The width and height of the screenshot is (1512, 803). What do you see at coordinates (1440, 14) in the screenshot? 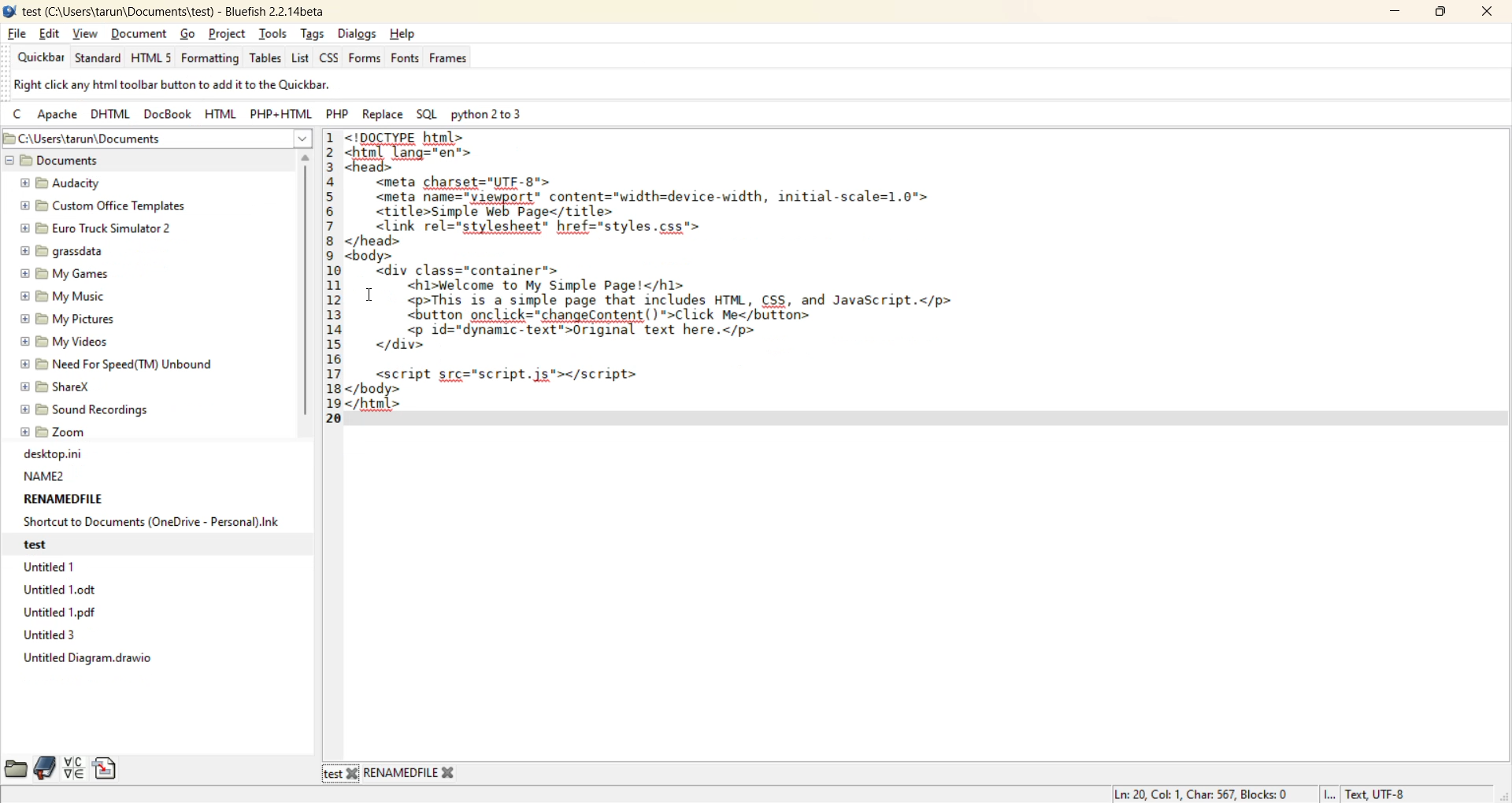
I see `maximize` at bounding box center [1440, 14].